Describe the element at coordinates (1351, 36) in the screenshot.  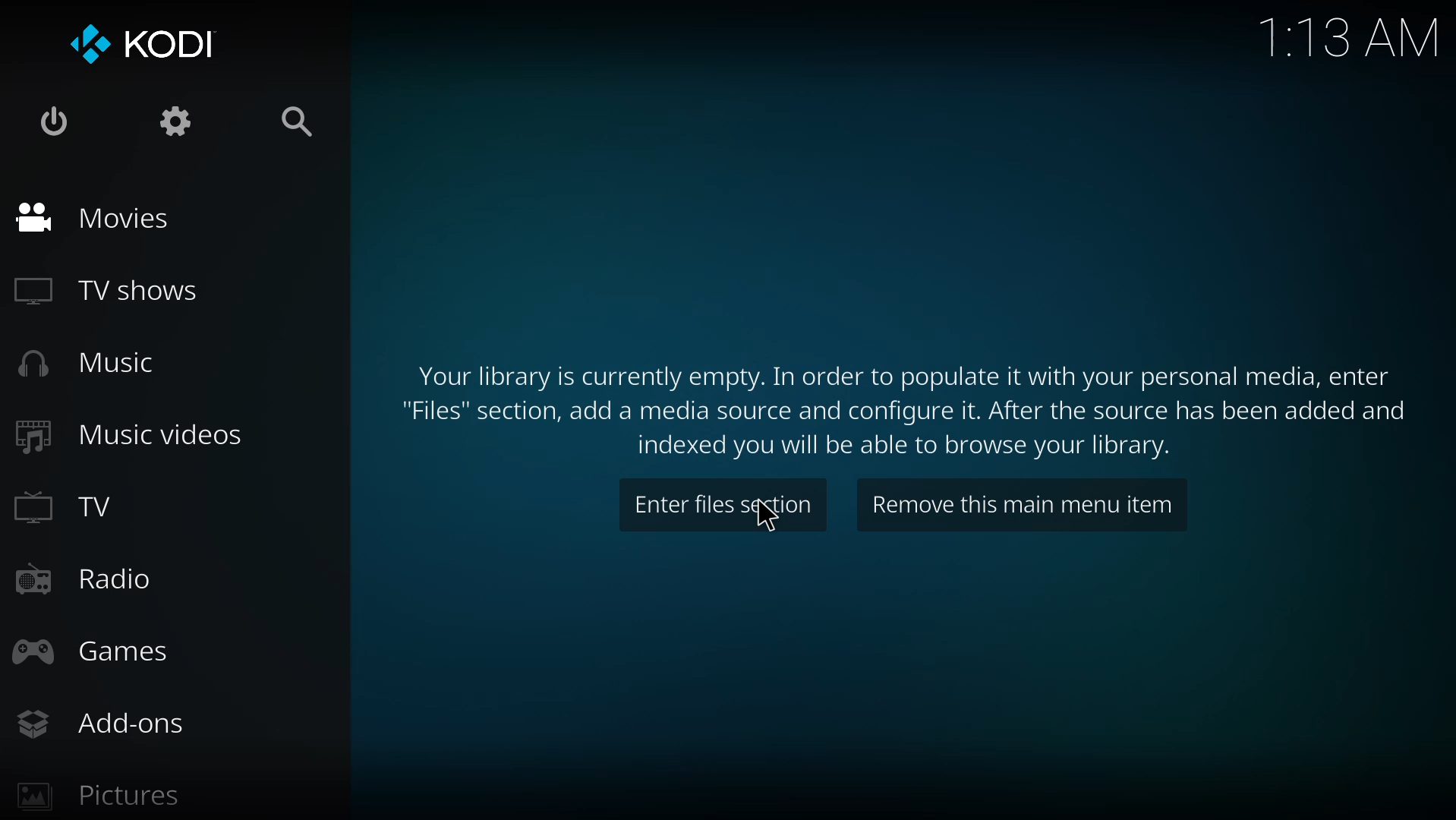
I see `1:13 AM time` at that location.